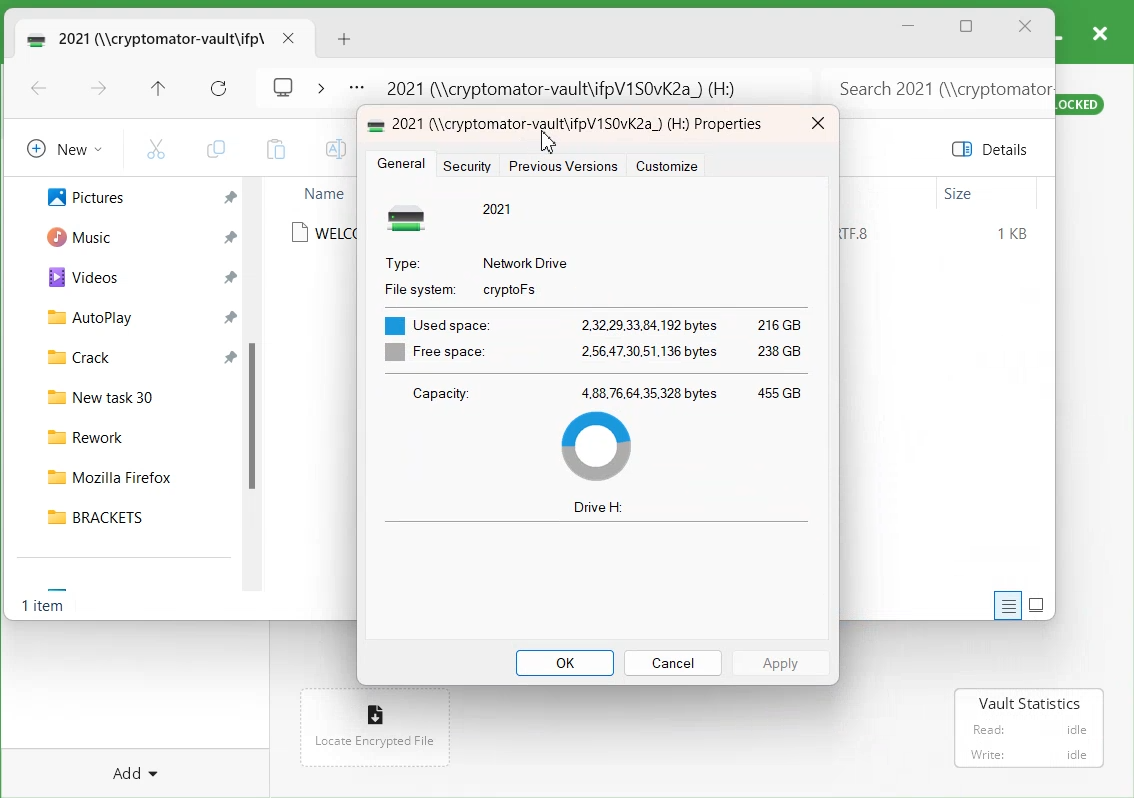 The image size is (1134, 798). What do you see at coordinates (142, 38) in the screenshot?
I see `Vault Folder` at bounding box center [142, 38].